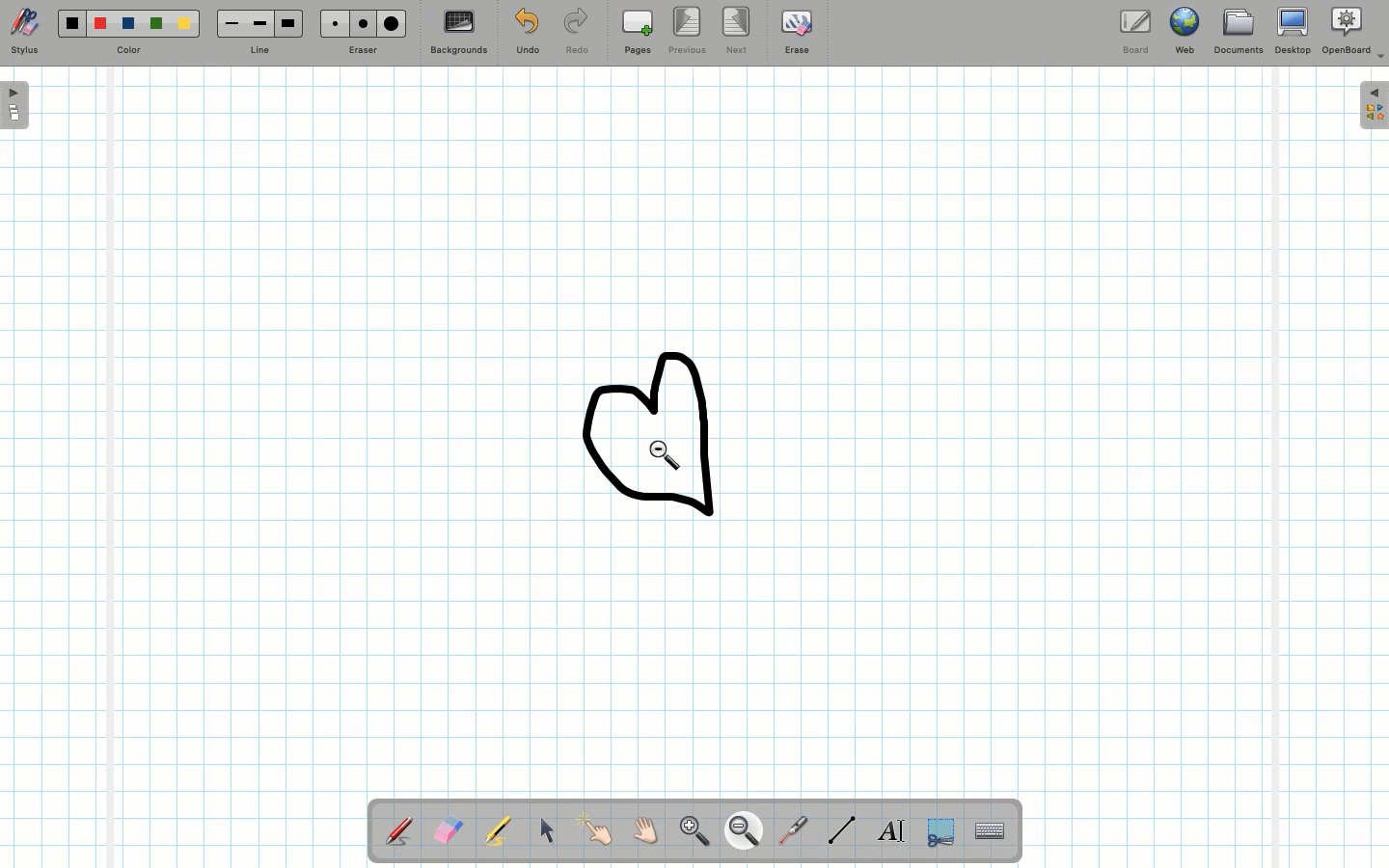 The image size is (1389, 868). What do you see at coordinates (1374, 106) in the screenshot?
I see `Expand folder` at bounding box center [1374, 106].